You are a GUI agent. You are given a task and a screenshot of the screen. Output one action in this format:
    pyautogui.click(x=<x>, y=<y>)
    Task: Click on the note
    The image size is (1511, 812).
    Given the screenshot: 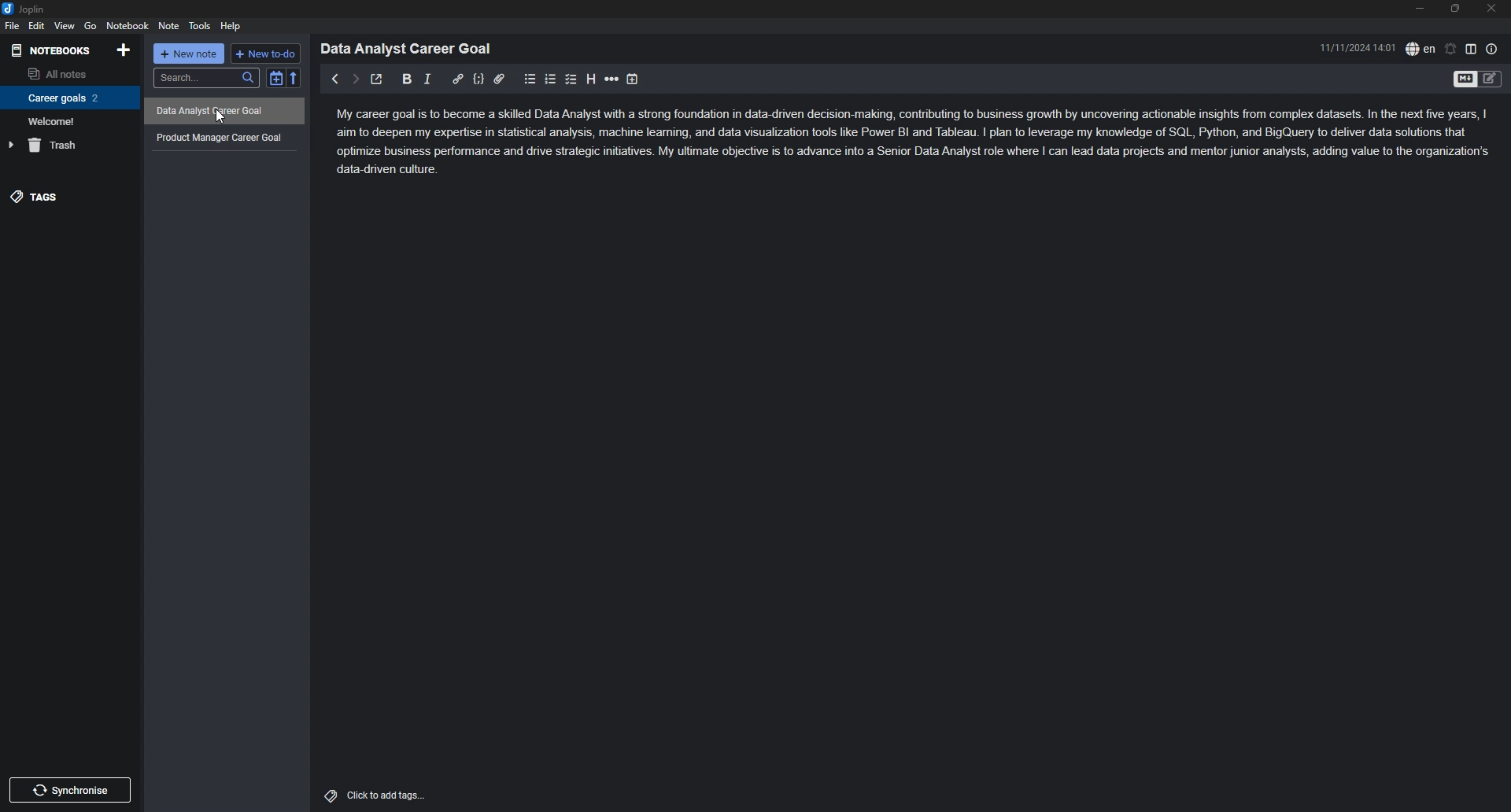 What is the action you would take?
    pyautogui.click(x=170, y=25)
    